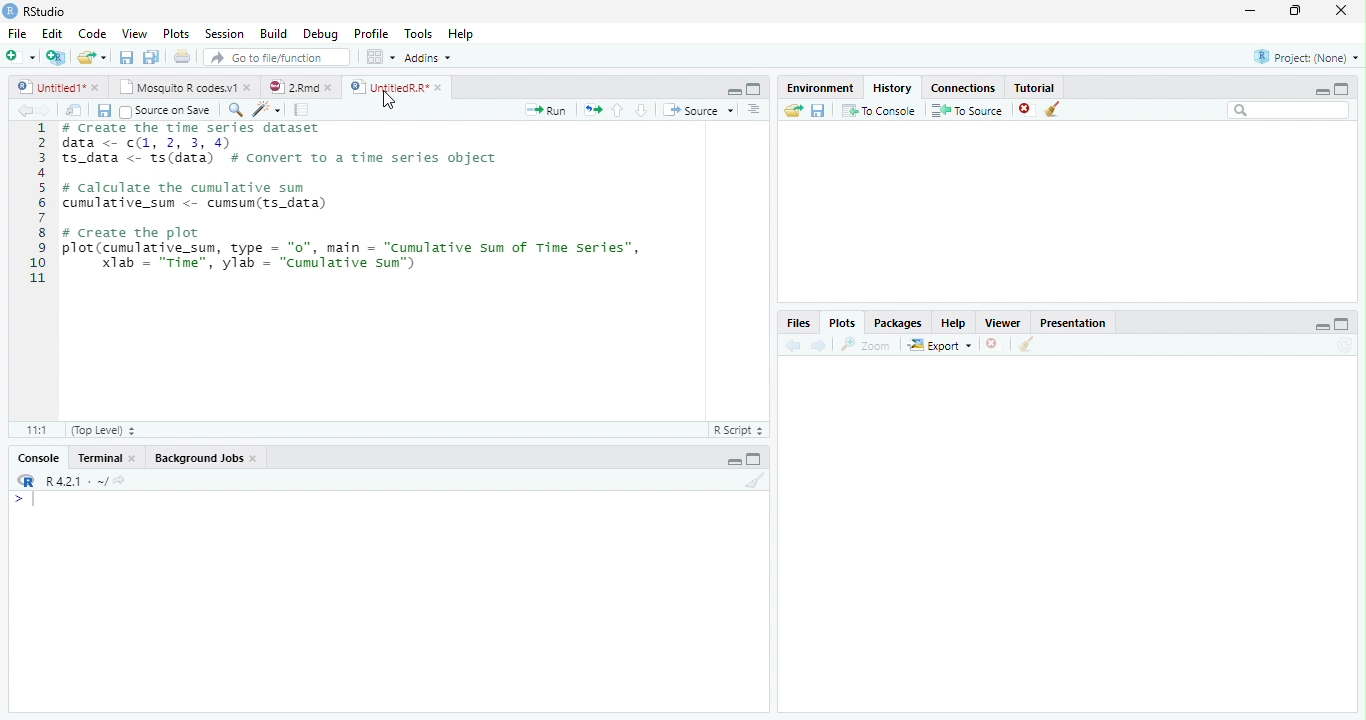 The image size is (1366, 720). What do you see at coordinates (106, 458) in the screenshot?
I see `Terminal` at bounding box center [106, 458].